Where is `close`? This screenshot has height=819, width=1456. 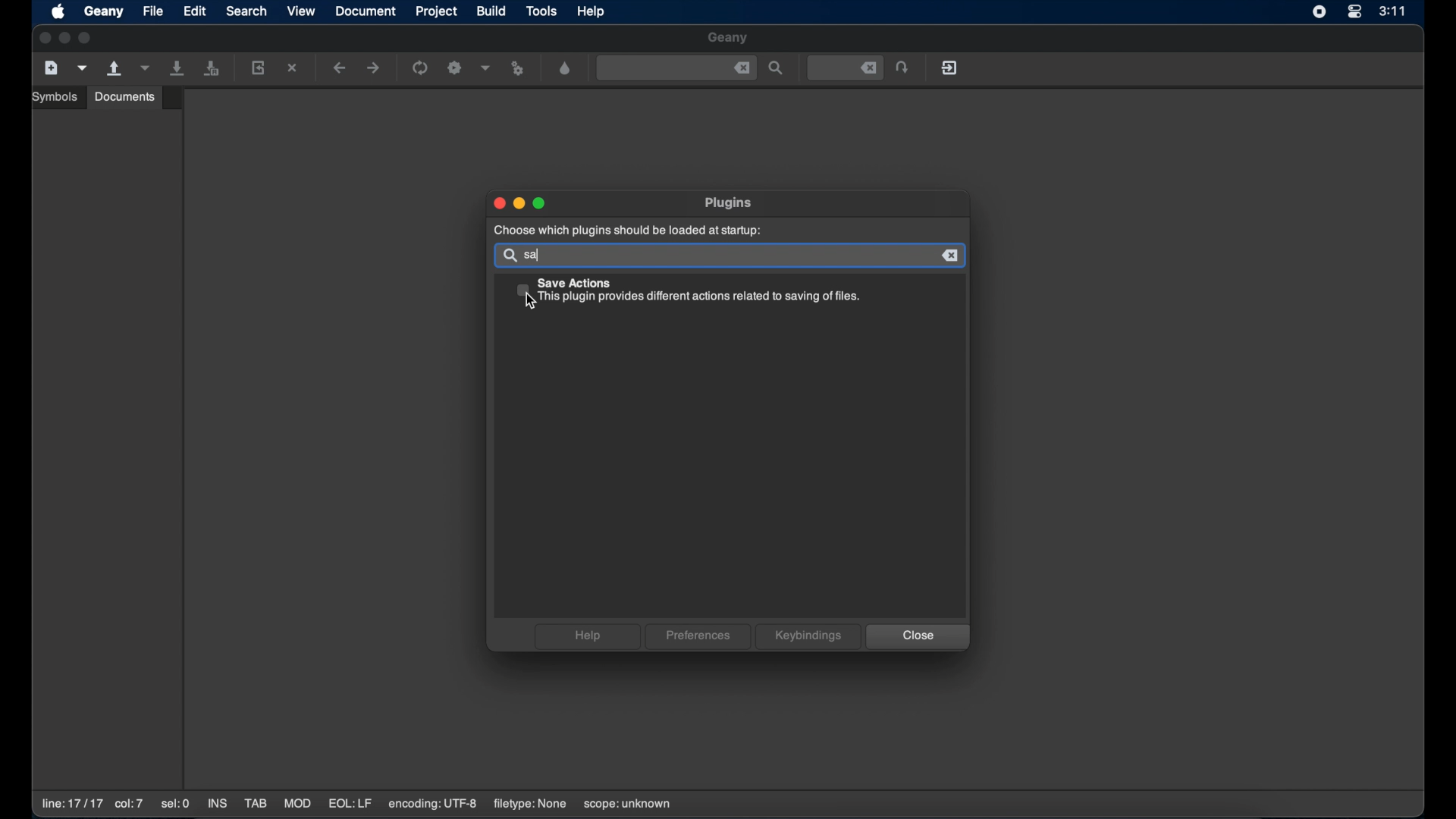
close is located at coordinates (742, 68).